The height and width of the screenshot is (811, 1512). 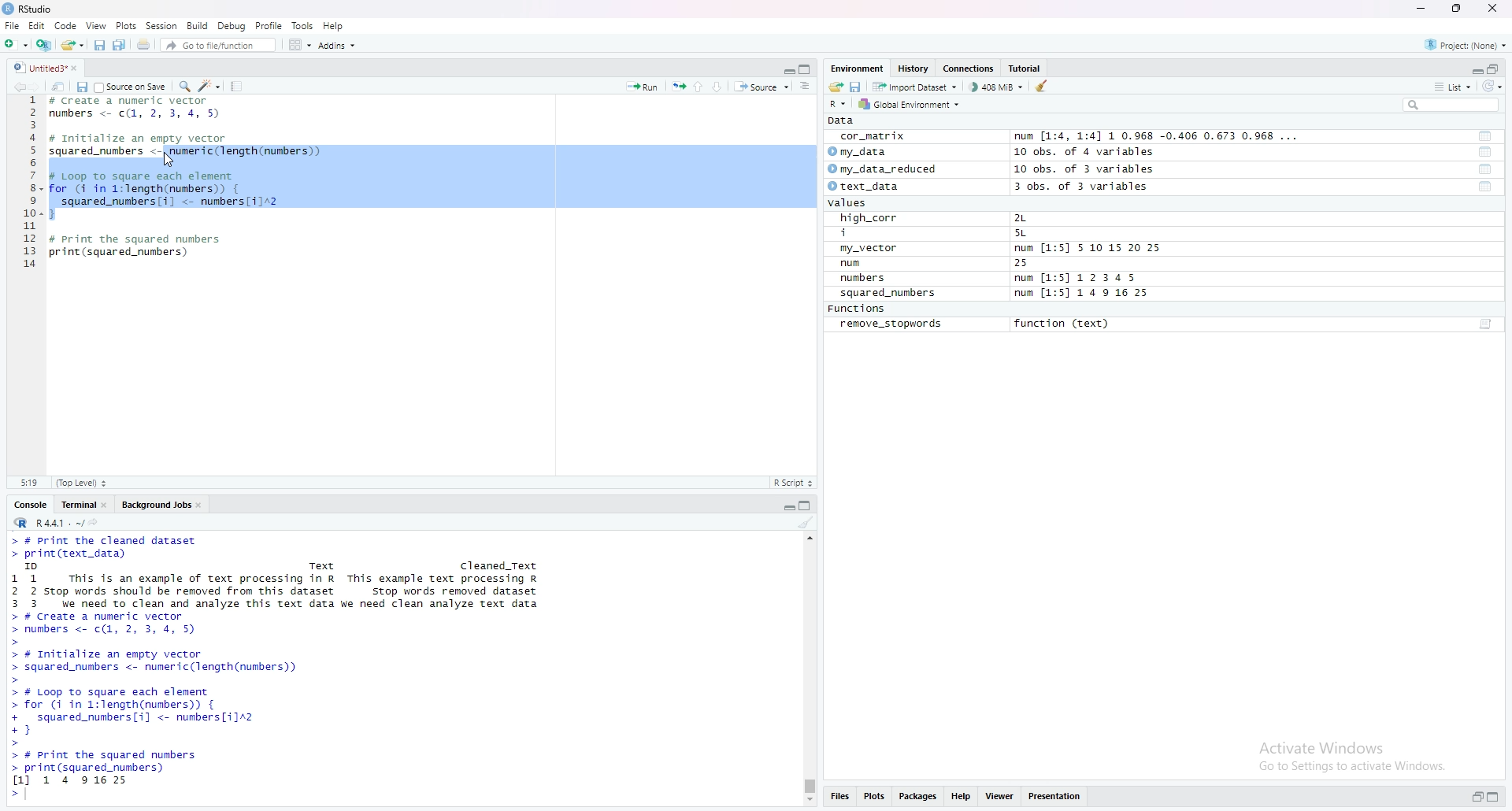 What do you see at coordinates (161, 25) in the screenshot?
I see `Session` at bounding box center [161, 25].